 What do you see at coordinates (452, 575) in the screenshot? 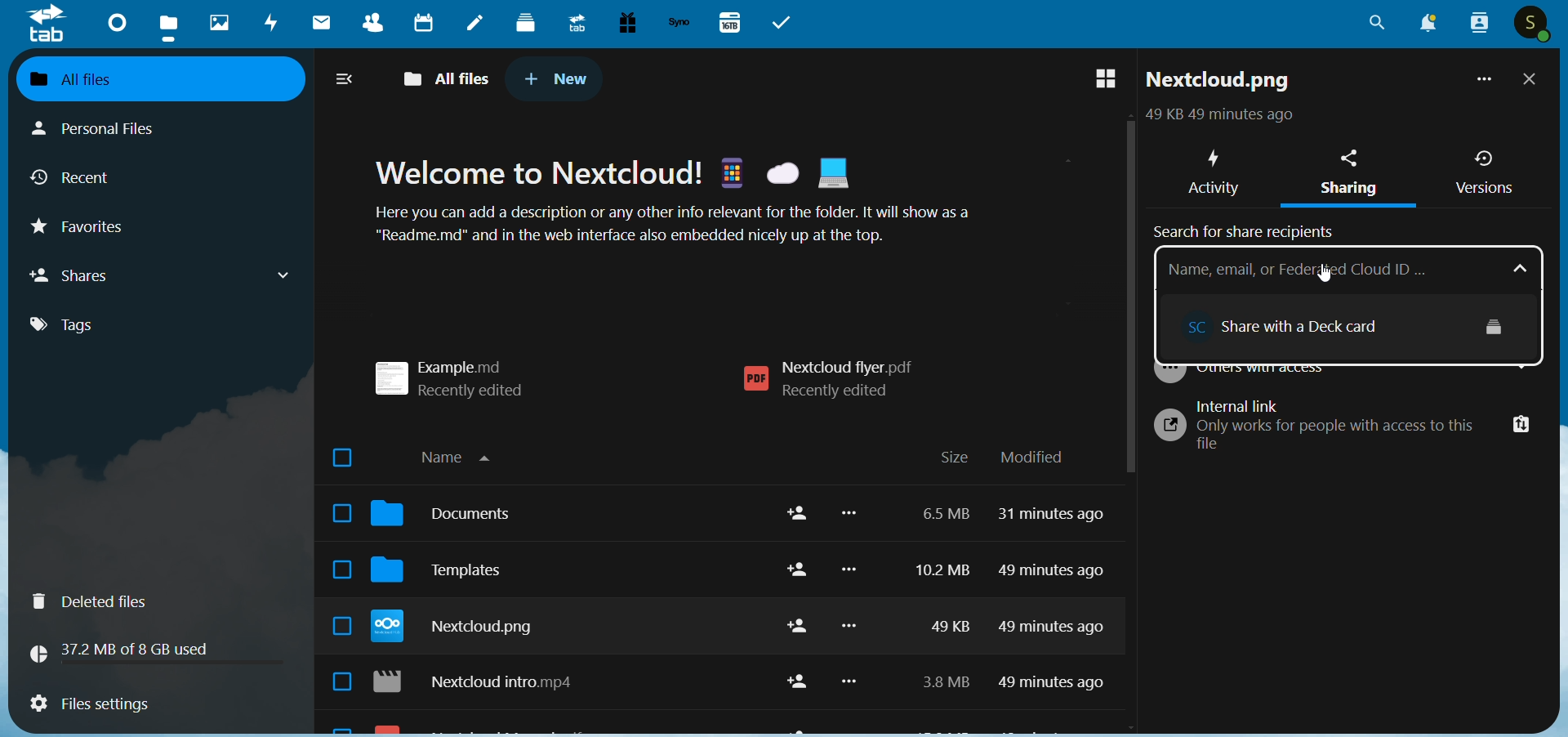
I see `templates` at bounding box center [452, 575].